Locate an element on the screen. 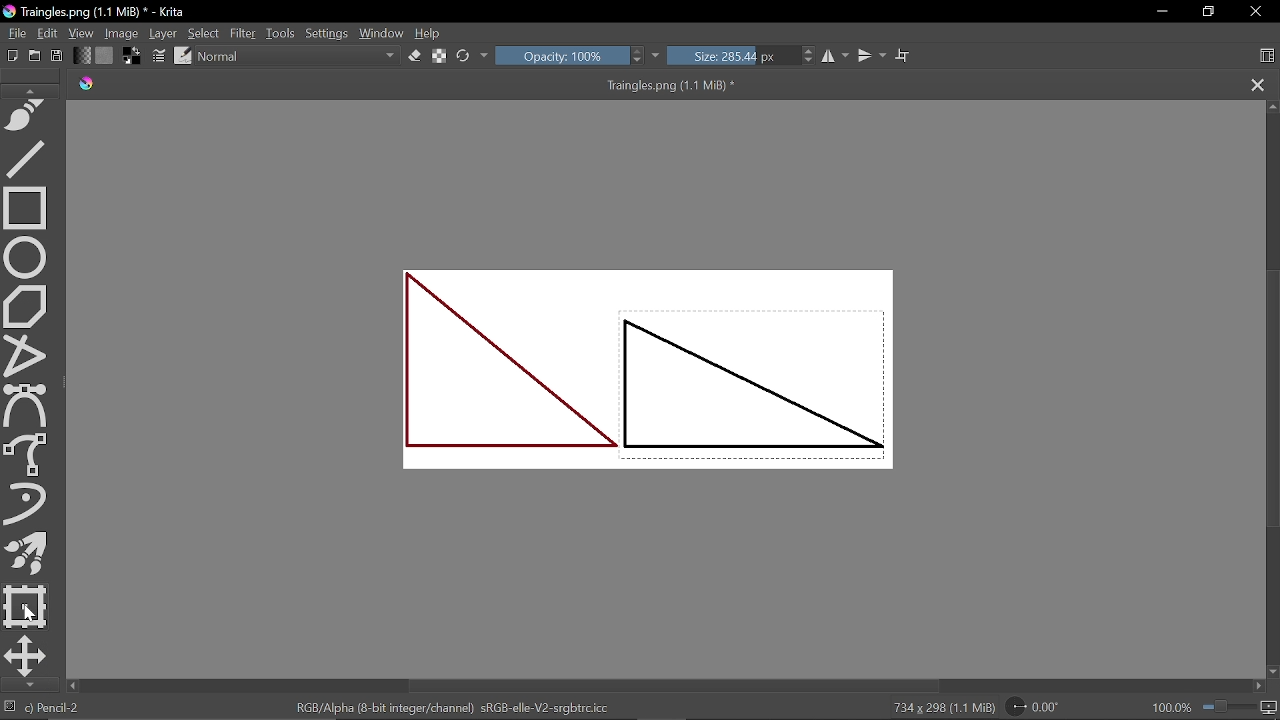 The width and height of the screenshot is (1280, 720). Freehand brush tool is located at coordinates (29, 455).